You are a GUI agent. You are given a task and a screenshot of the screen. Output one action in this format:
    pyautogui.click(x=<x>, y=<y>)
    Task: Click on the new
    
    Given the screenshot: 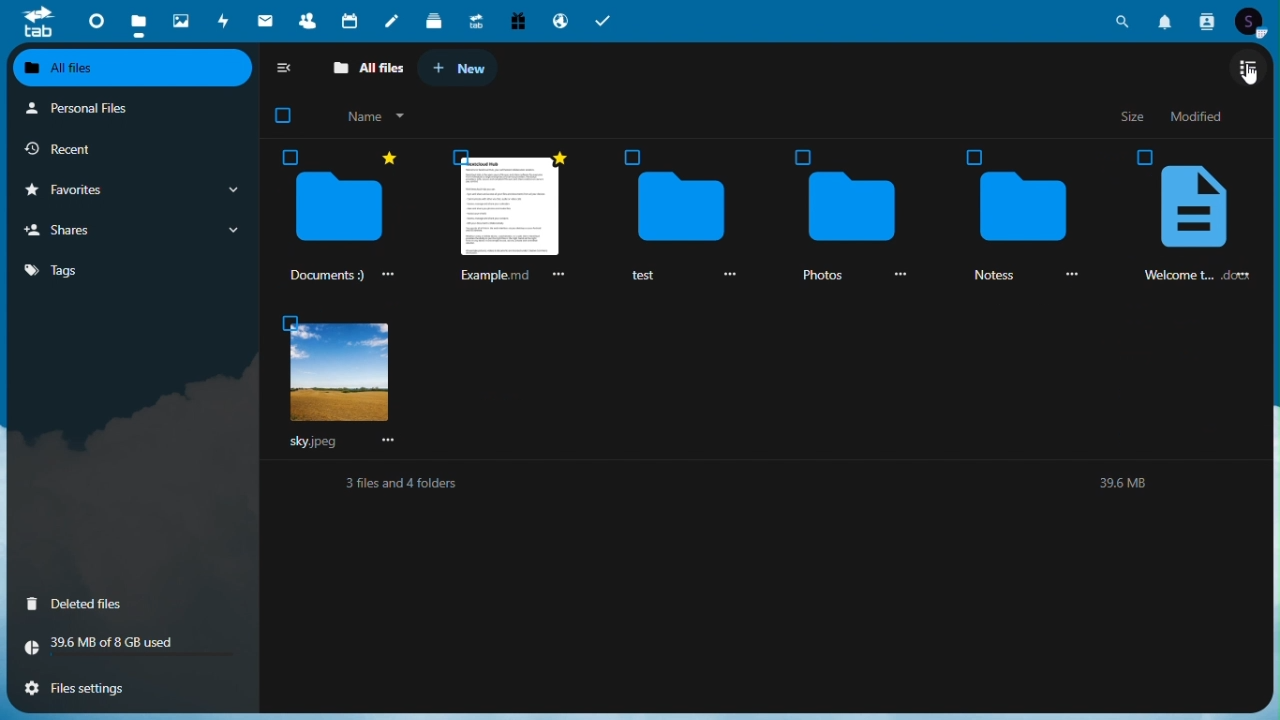 What is the action you would take?
    pyautogui.click(x=457, y=67)
    